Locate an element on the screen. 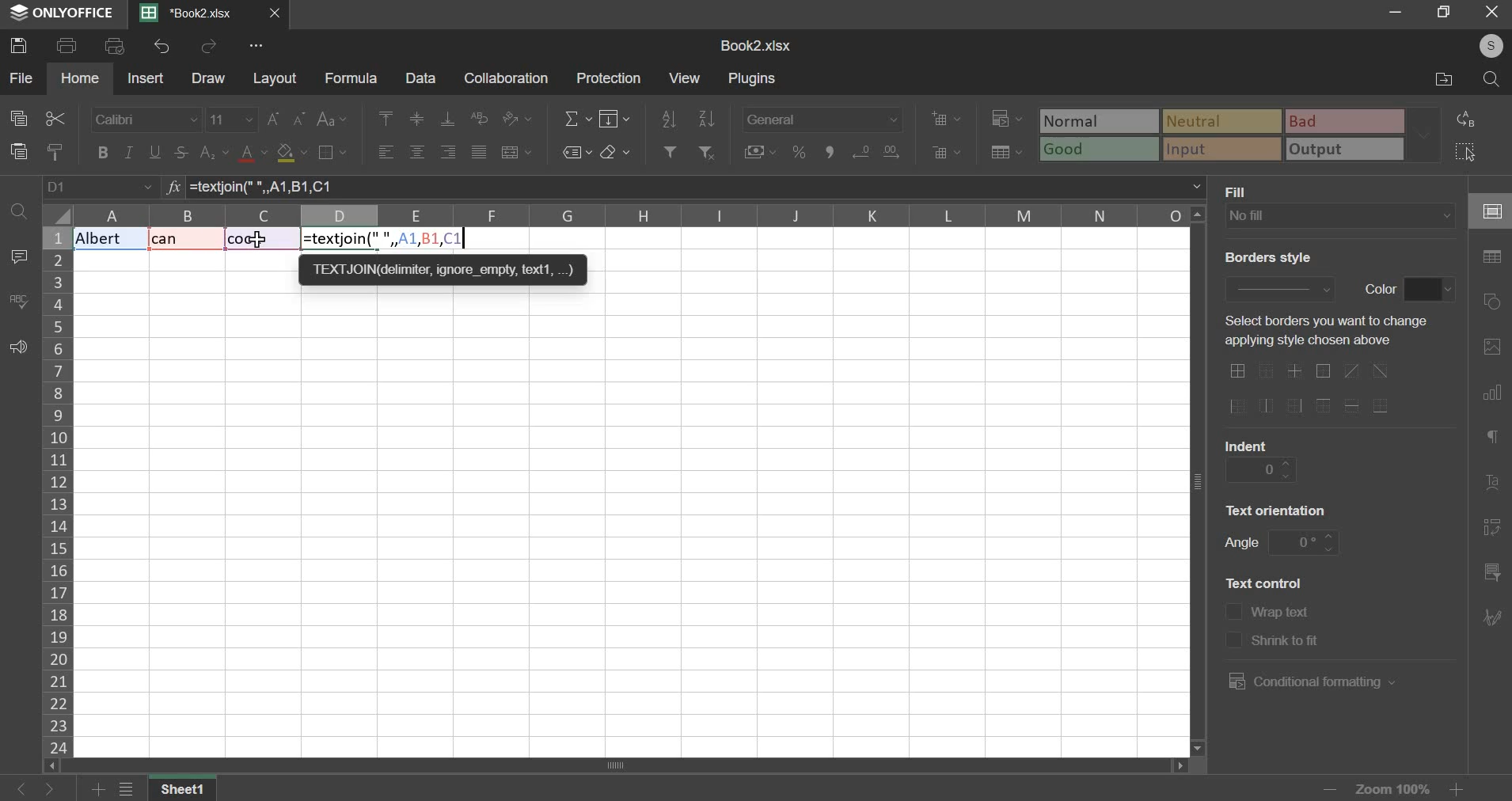 The width and height of the screenshot is (1512, 801). save is located at coordinates (22, 45).